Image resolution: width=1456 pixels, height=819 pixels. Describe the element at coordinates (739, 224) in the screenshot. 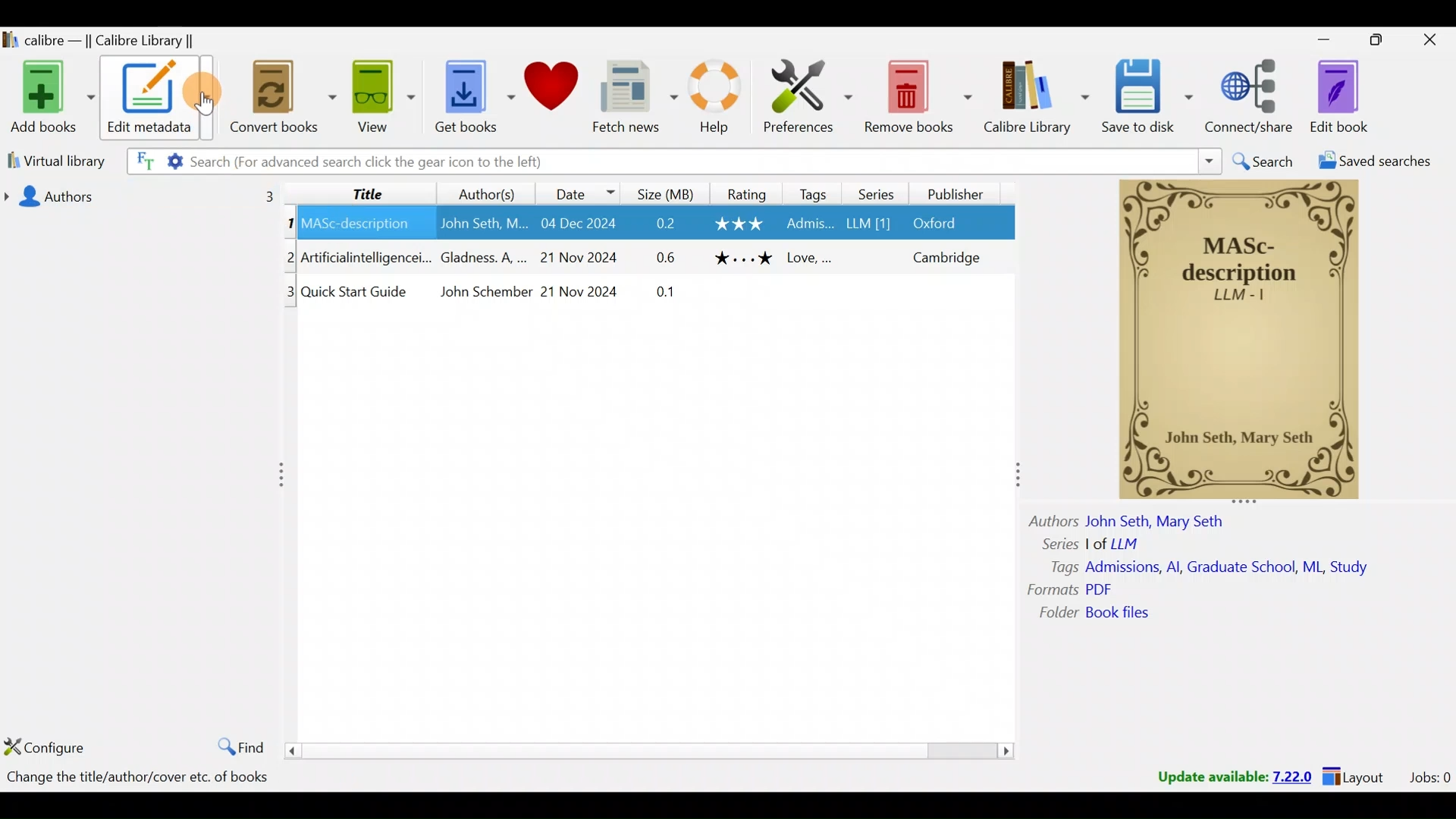

I see `` at that location.